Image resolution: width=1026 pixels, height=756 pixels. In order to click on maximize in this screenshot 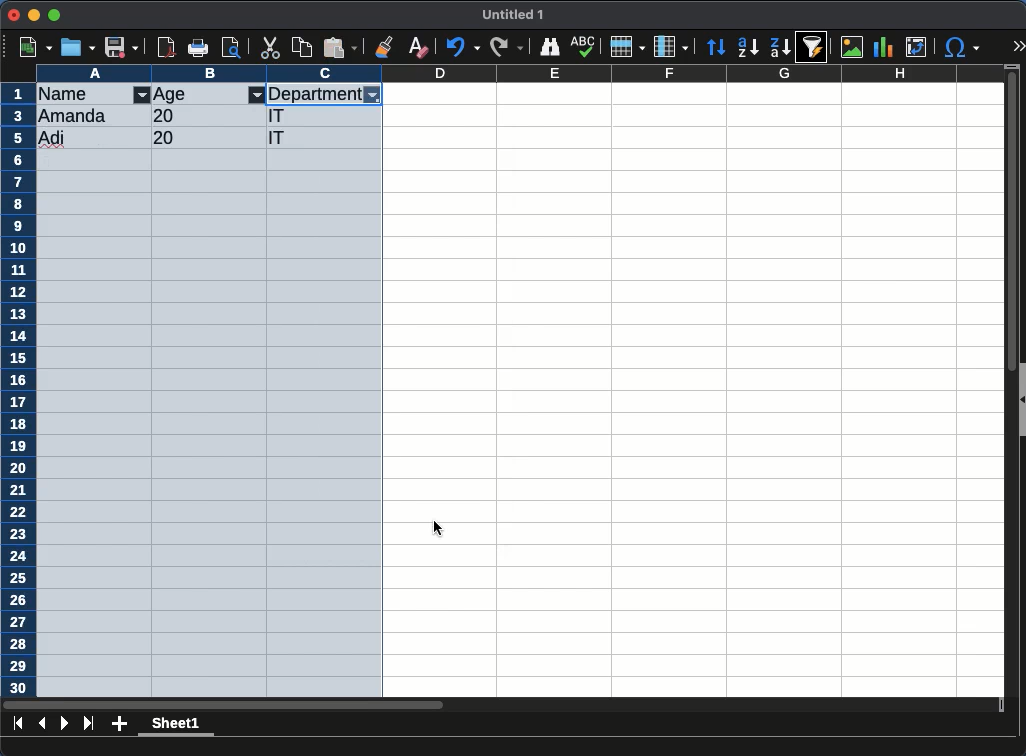, I will do `click(56, 14)`.